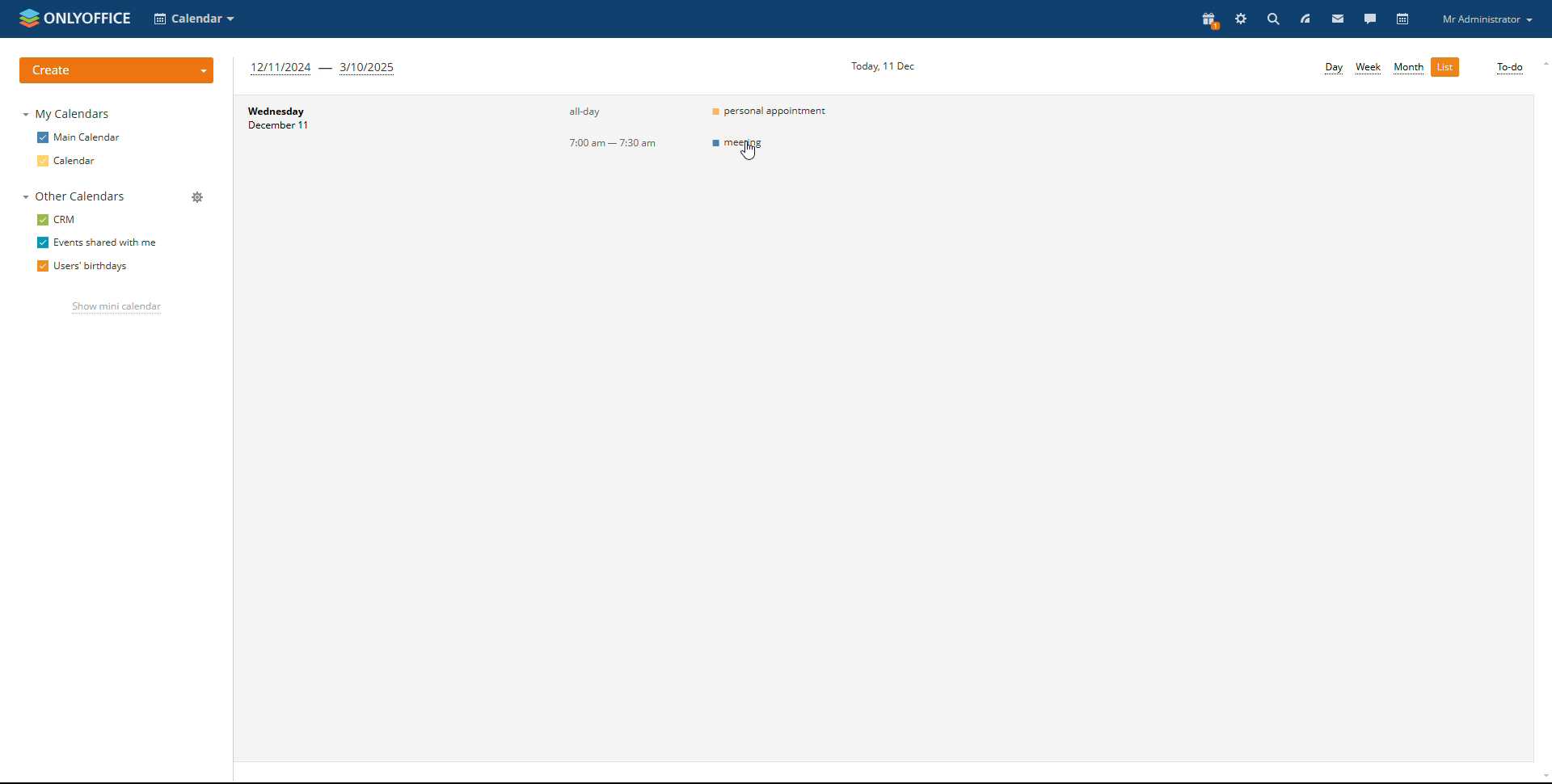 The height and width of the screenshot is (784, 1552). What do you see at coordinates (751, 151) in the screenshot?
I see `cursor` at bounding box center [751, 151].